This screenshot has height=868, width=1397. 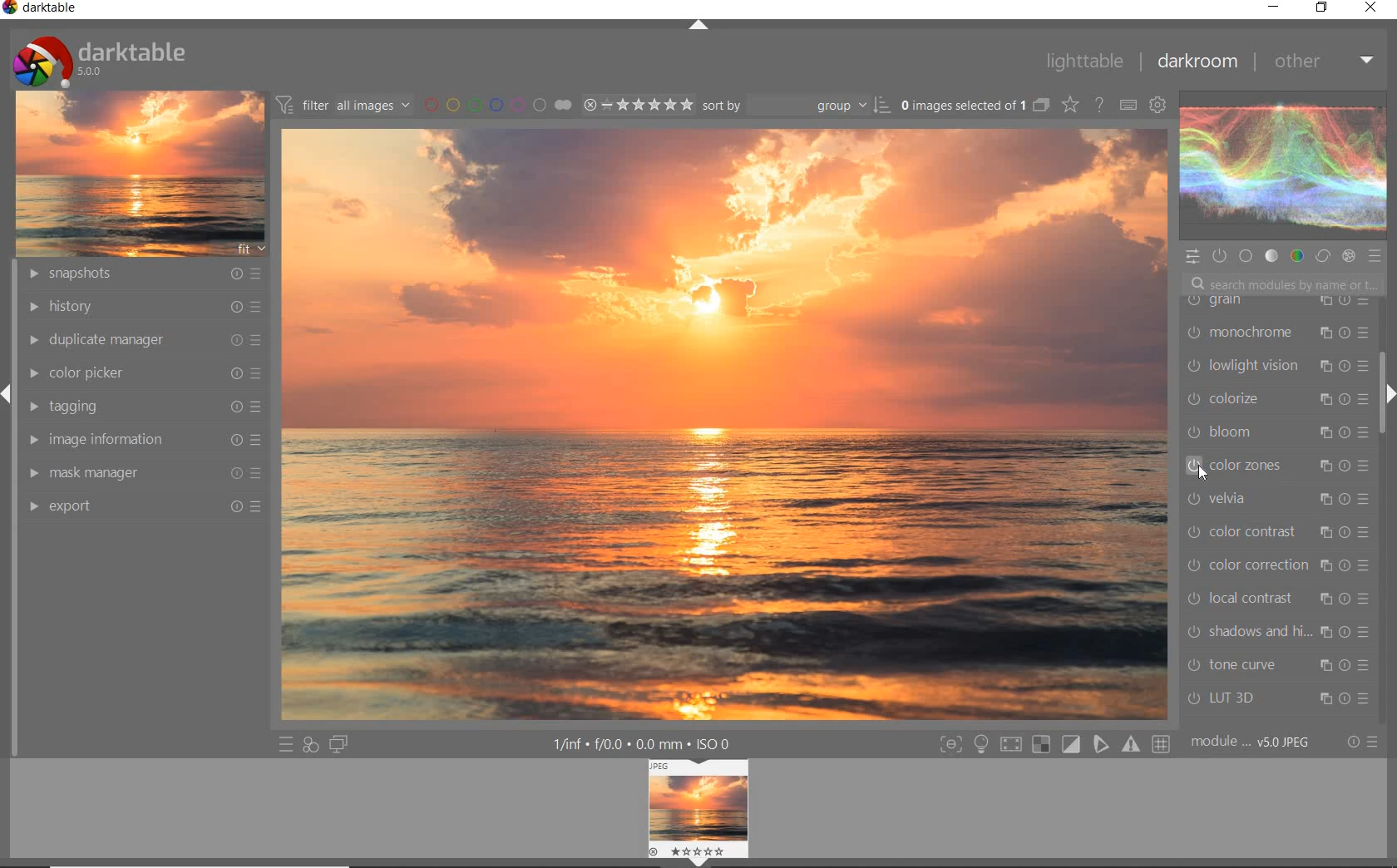 I want to click on lighttable, so click(x=1083, y=61).